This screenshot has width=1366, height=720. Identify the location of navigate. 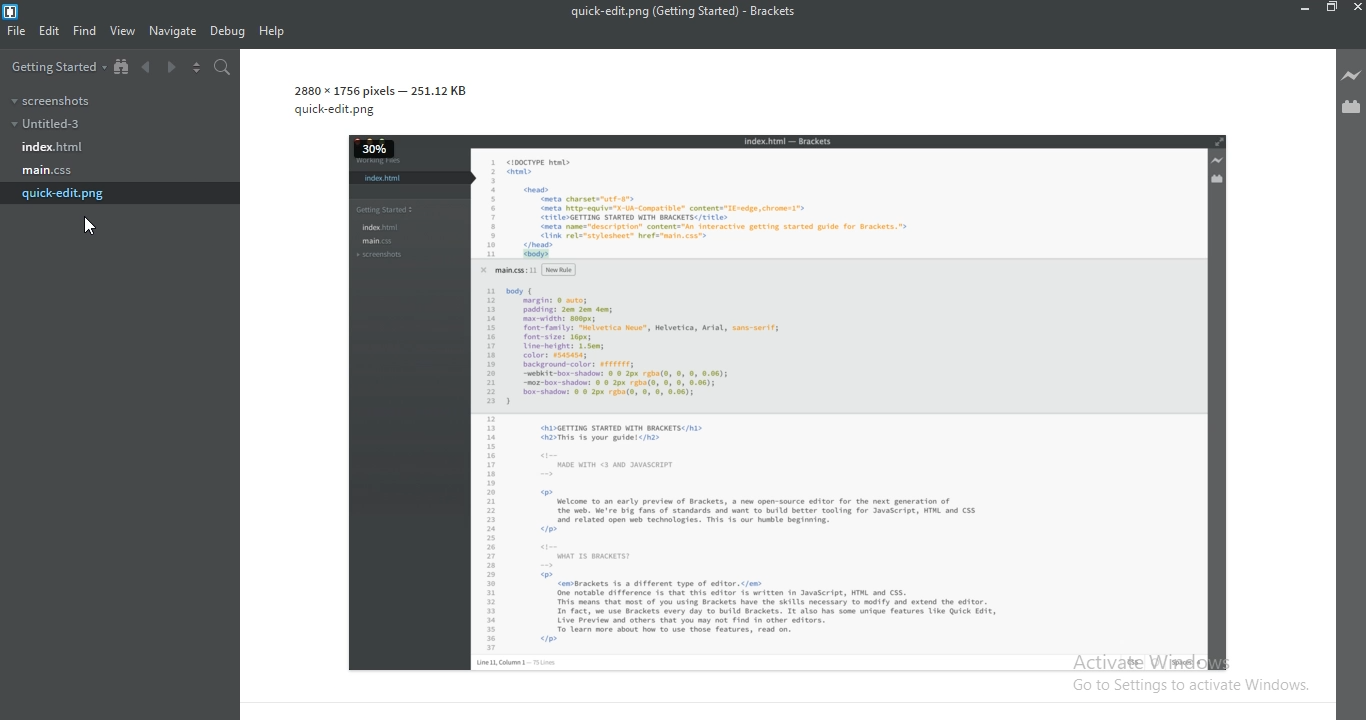
(172, 31).